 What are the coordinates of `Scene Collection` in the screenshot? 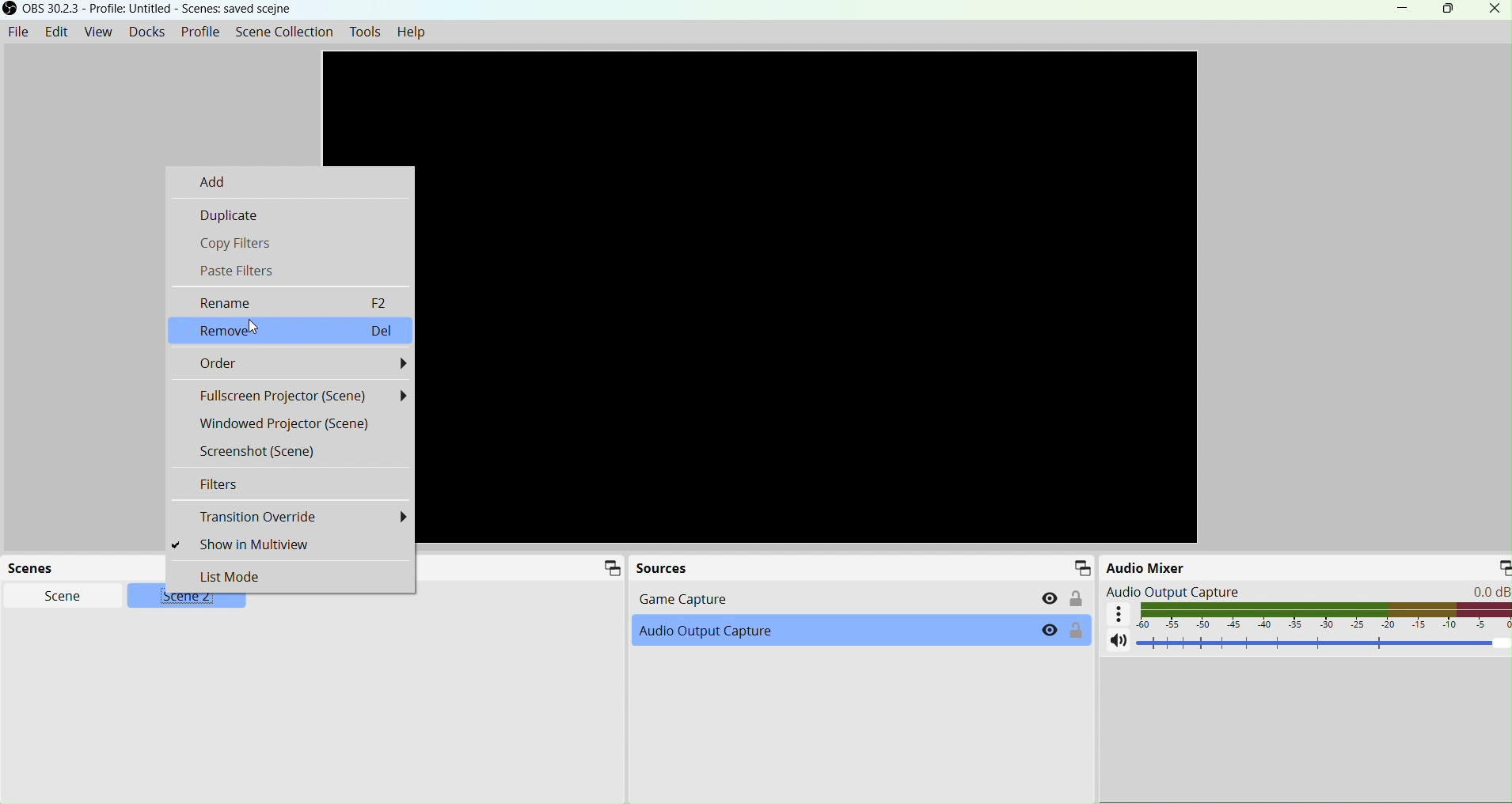 It's located at (283, 31).